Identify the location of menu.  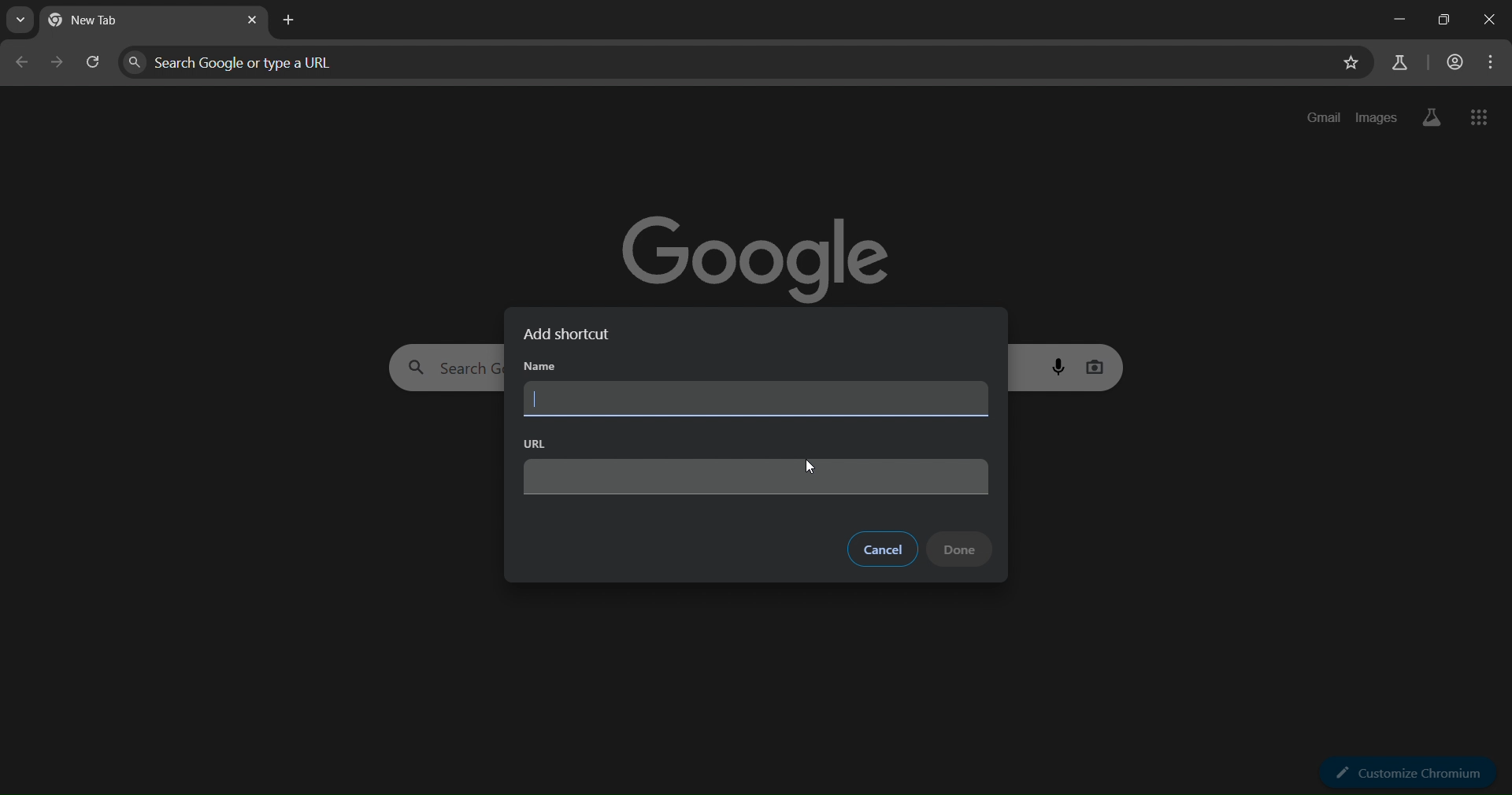
(1492, 62).